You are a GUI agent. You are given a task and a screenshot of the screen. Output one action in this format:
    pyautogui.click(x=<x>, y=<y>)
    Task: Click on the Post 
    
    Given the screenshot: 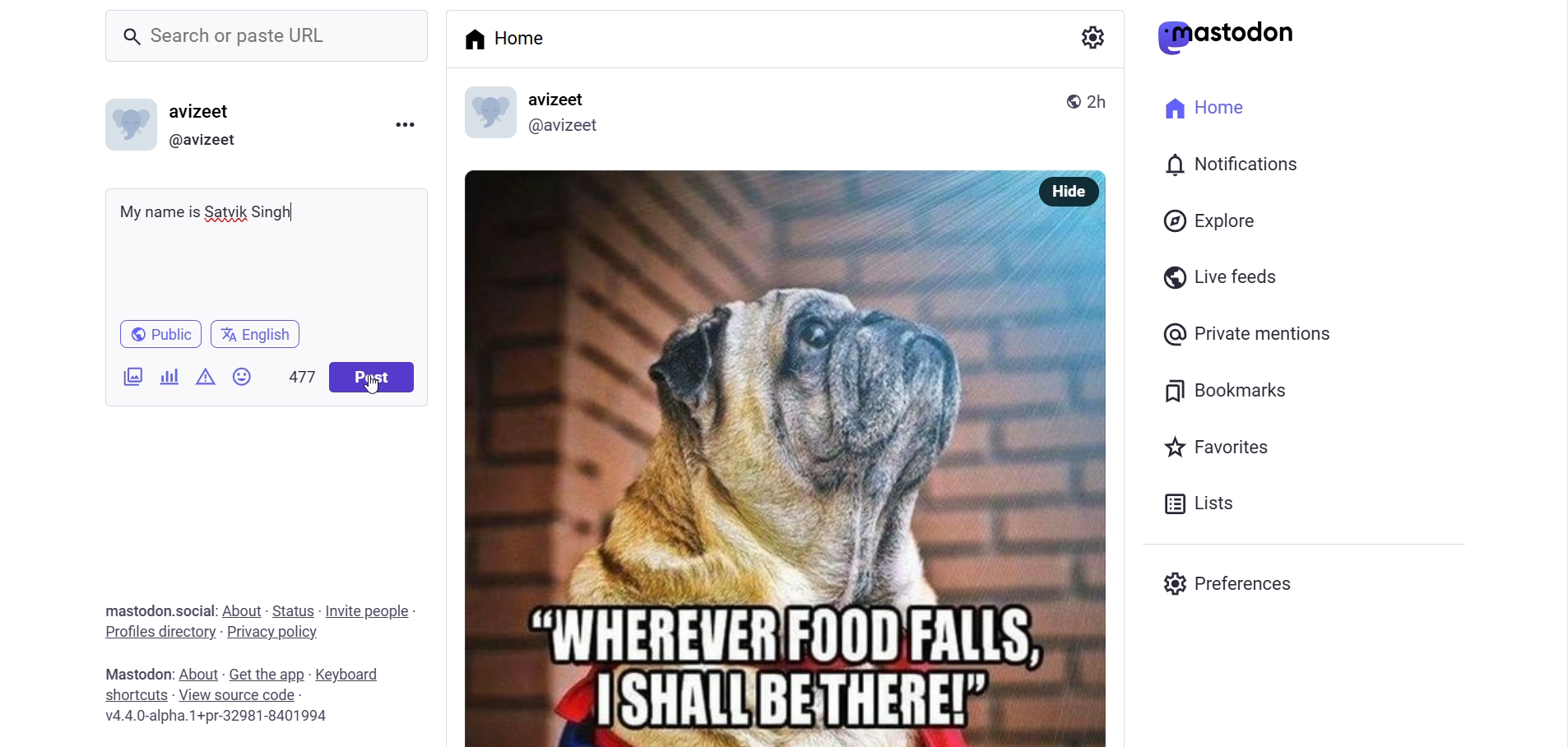 What is the action you would take?
    pyautogui.click(x=378, y=378)
    